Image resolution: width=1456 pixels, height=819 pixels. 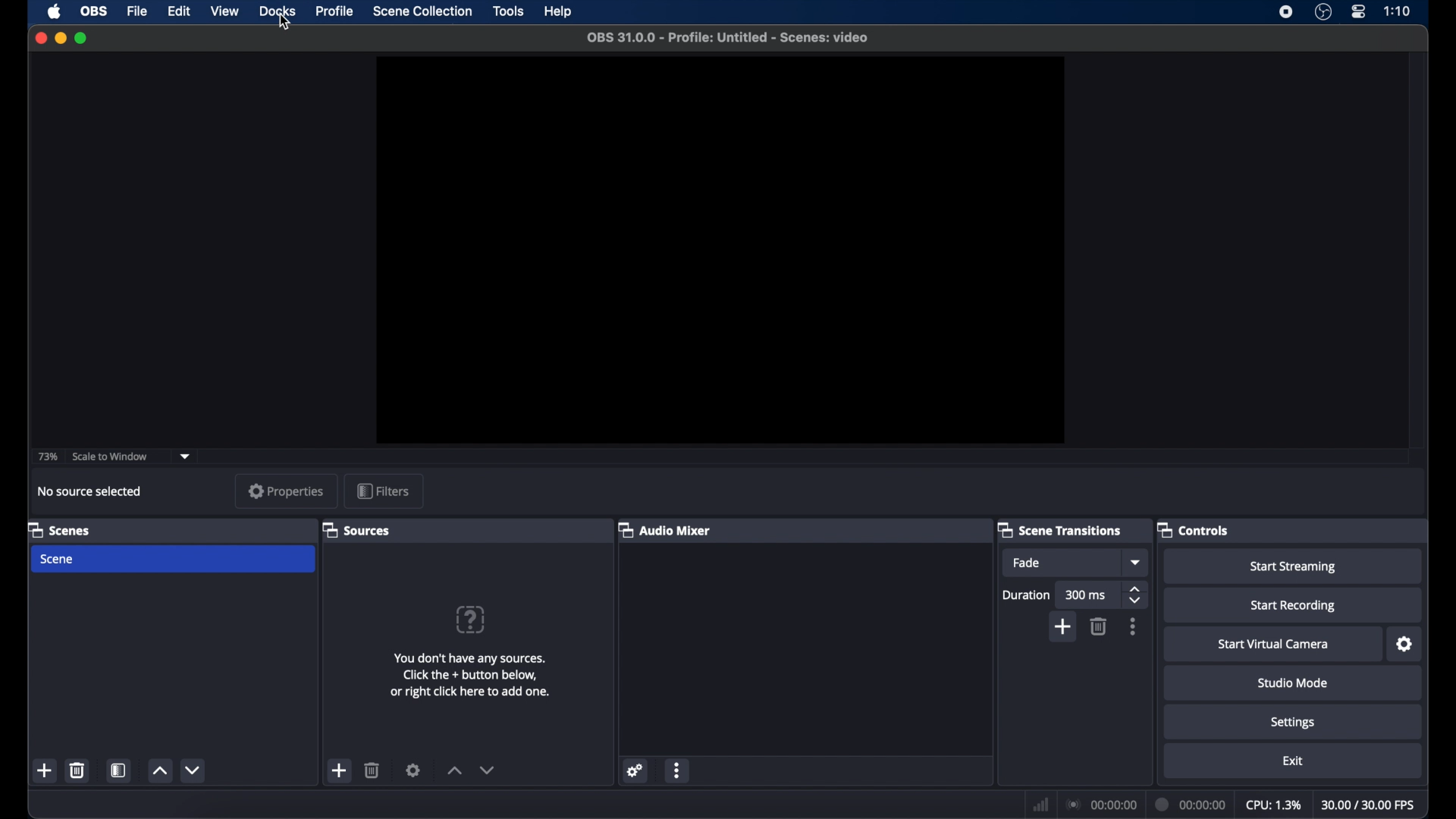 What do you see at coordinates (78, 770) in the screenshot?
I see `delete` at bounding box center [78, 770].